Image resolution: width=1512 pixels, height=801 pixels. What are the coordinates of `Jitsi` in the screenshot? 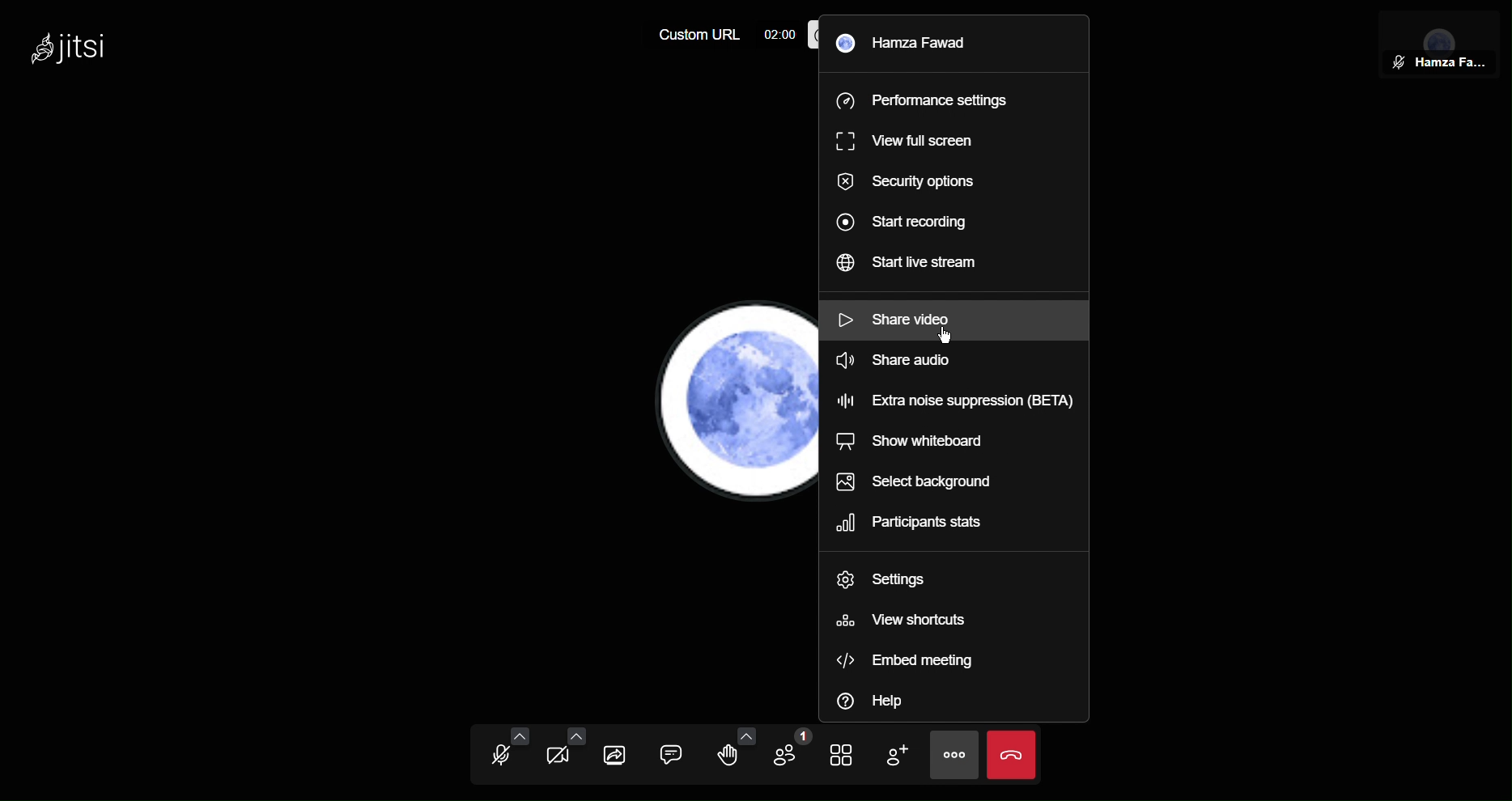 It's located at (76, 48).